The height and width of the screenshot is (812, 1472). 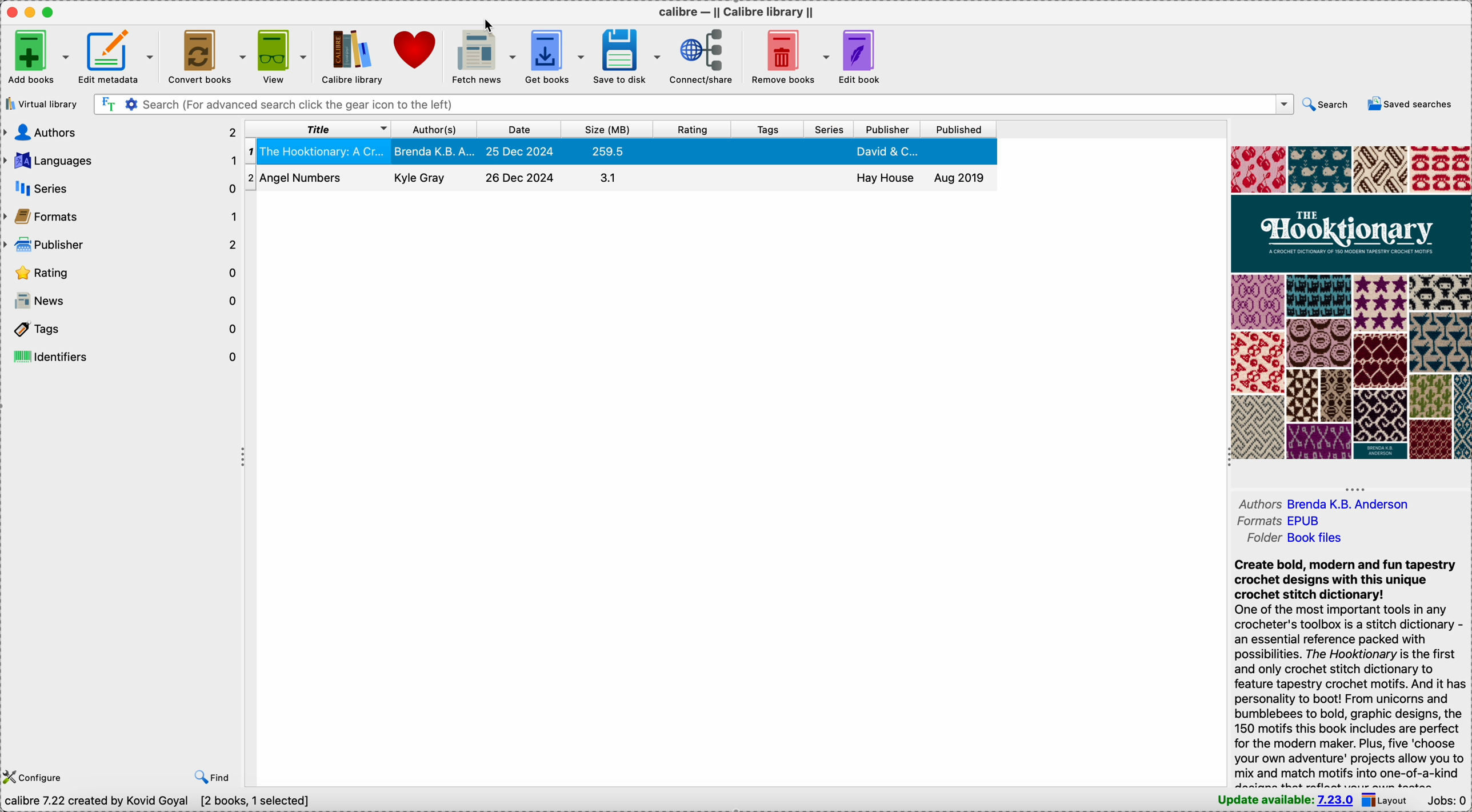 I want to click on authors, so click(x=1331, y=502).